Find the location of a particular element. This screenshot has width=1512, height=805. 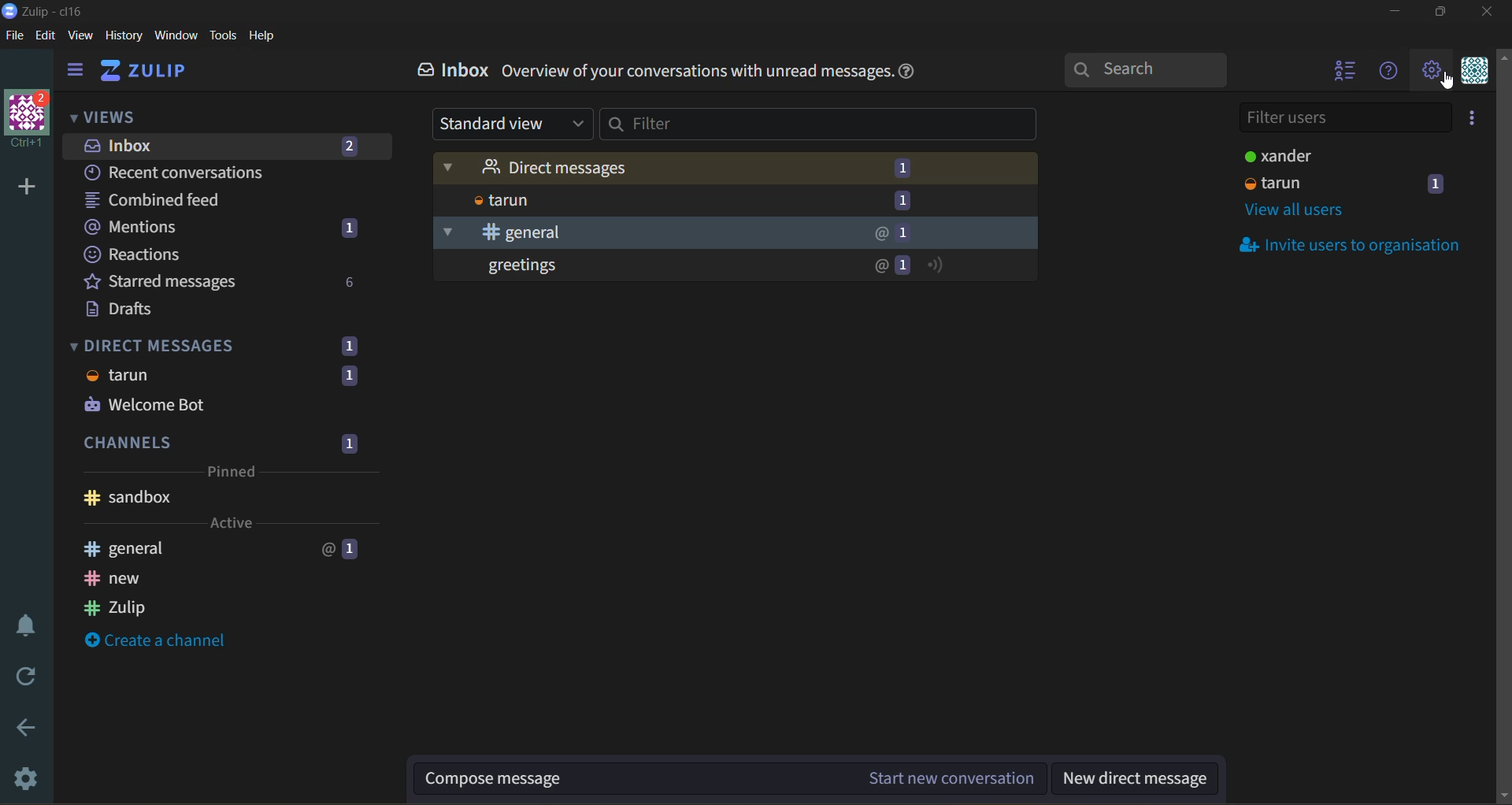

new is located at coordinates (132, 580).